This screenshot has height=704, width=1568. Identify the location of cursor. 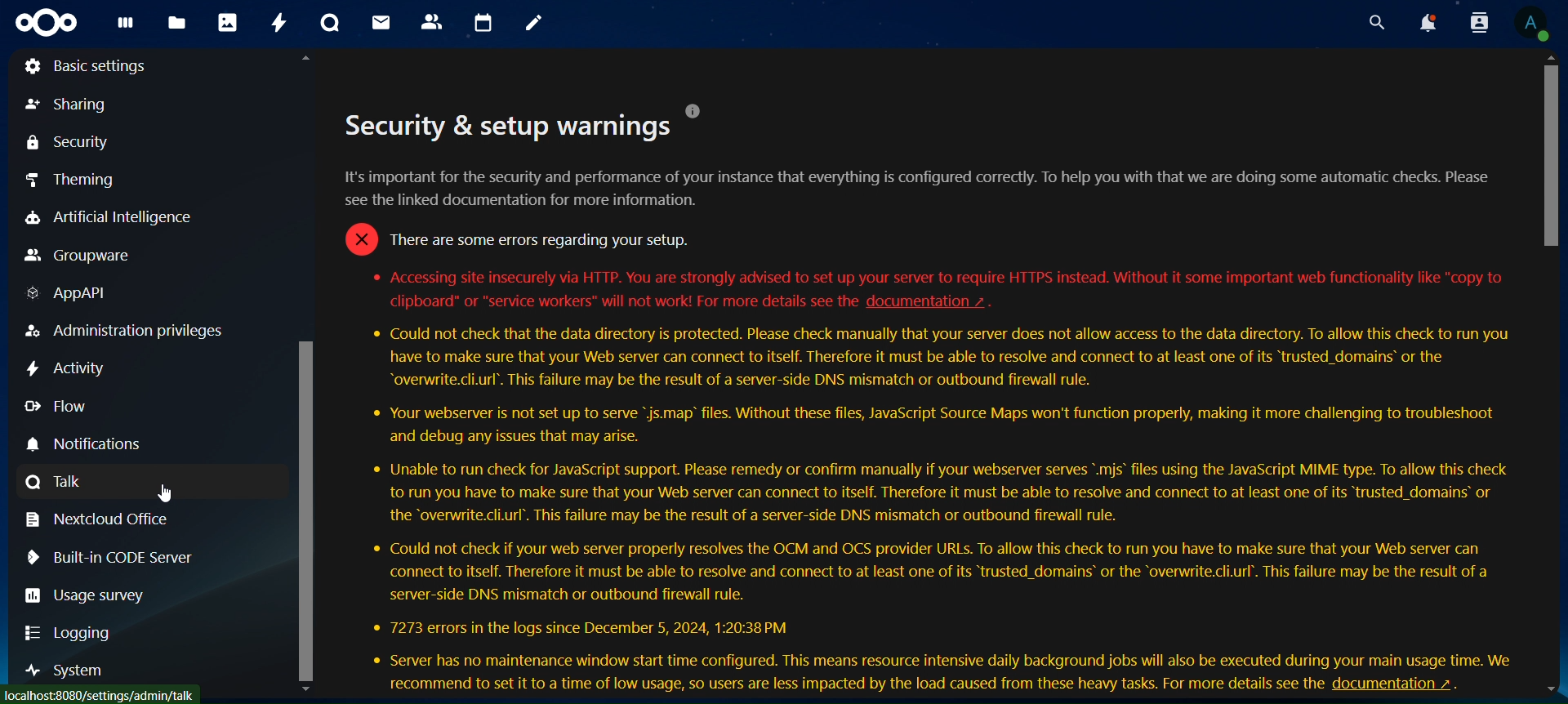
(165, 495).